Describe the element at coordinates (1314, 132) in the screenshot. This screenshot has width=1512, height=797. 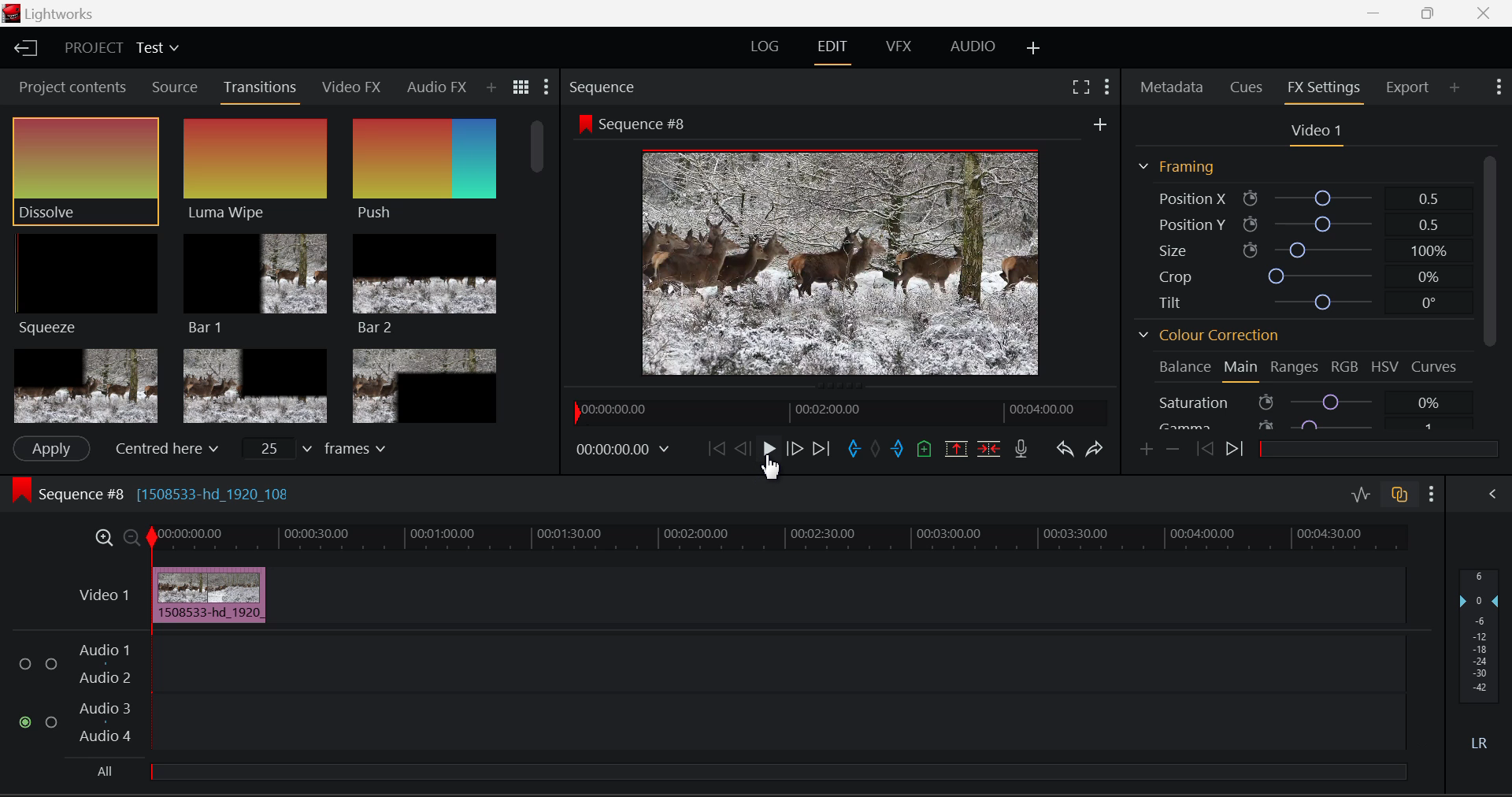
I see `Video 1 Settings` at that location.